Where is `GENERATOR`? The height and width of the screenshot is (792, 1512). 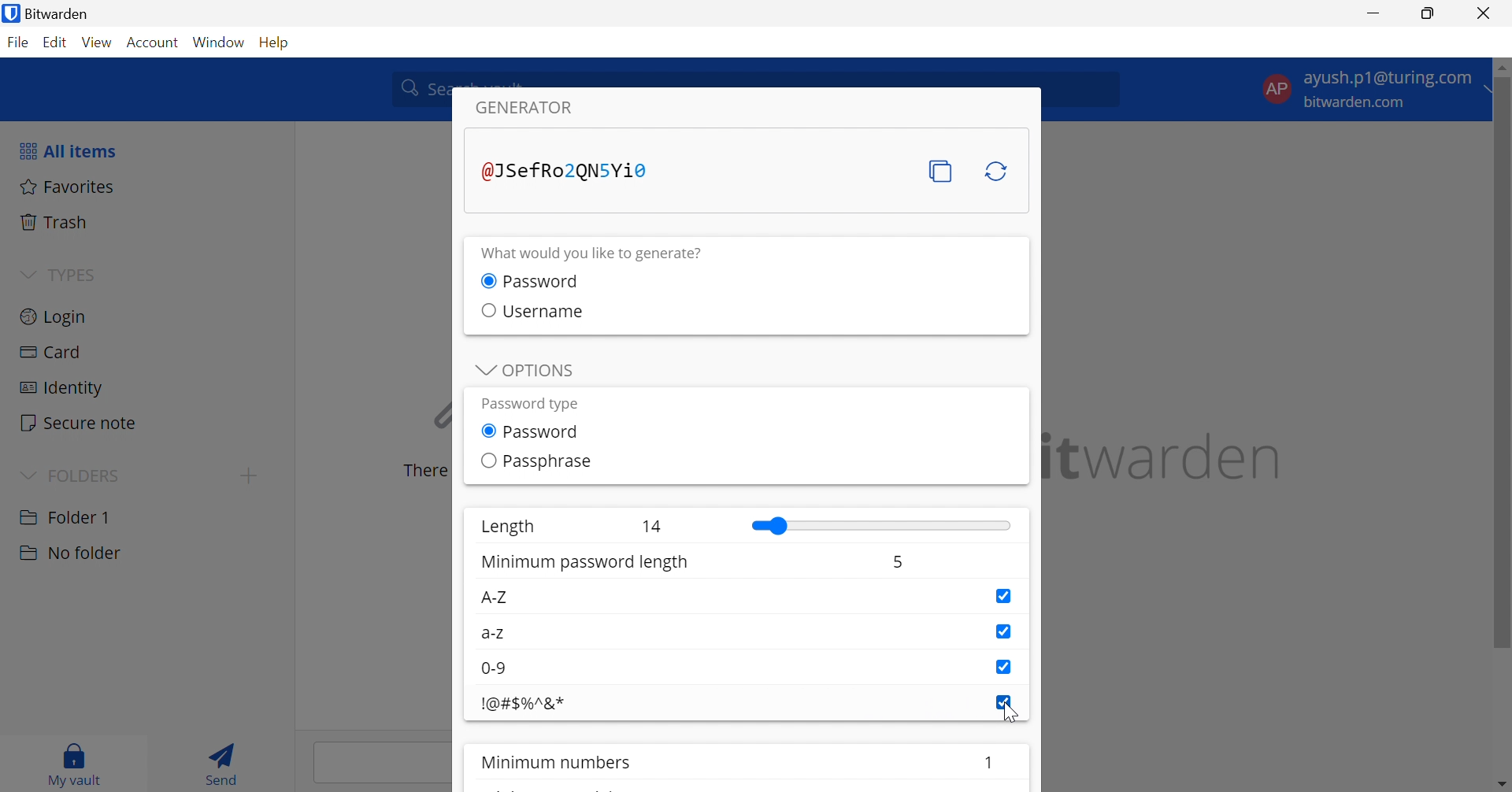
GENERATOR is located at coordinates (536, 108).